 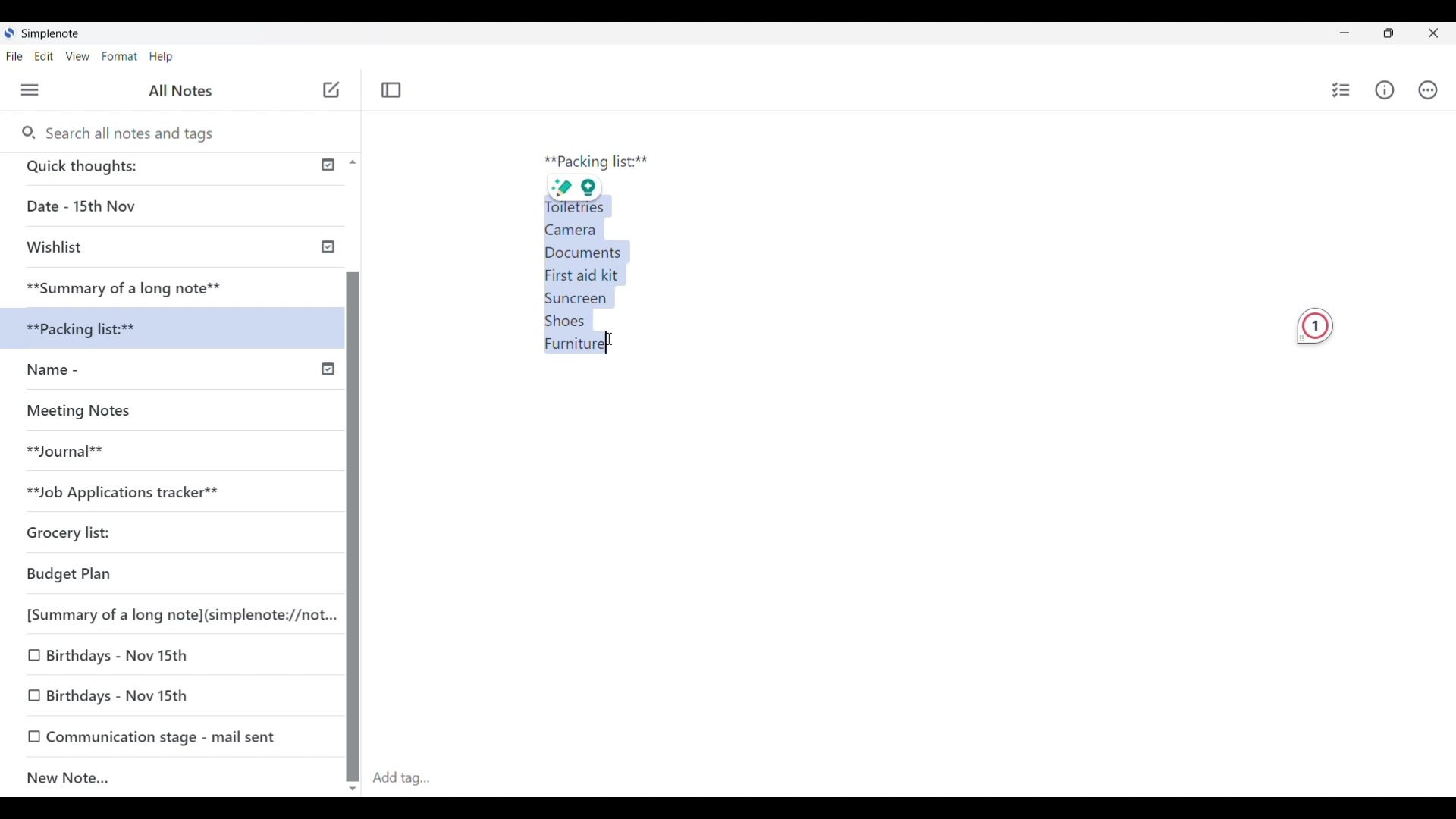 What do you see at coordinates (353, 513) in the screenshot?
I see `Vertical slide bar for left panel` at bounding box center [353, 513].